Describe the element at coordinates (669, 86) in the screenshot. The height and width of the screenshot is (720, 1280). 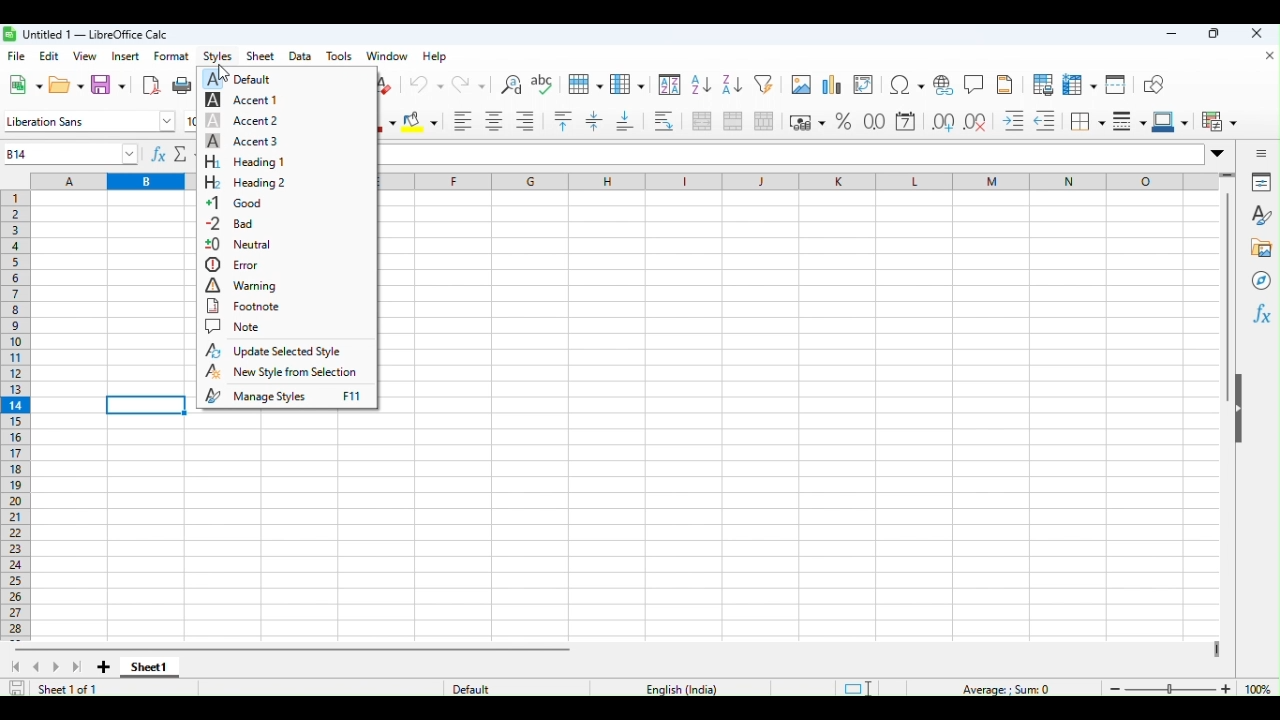
I see `Sort ` at that location.